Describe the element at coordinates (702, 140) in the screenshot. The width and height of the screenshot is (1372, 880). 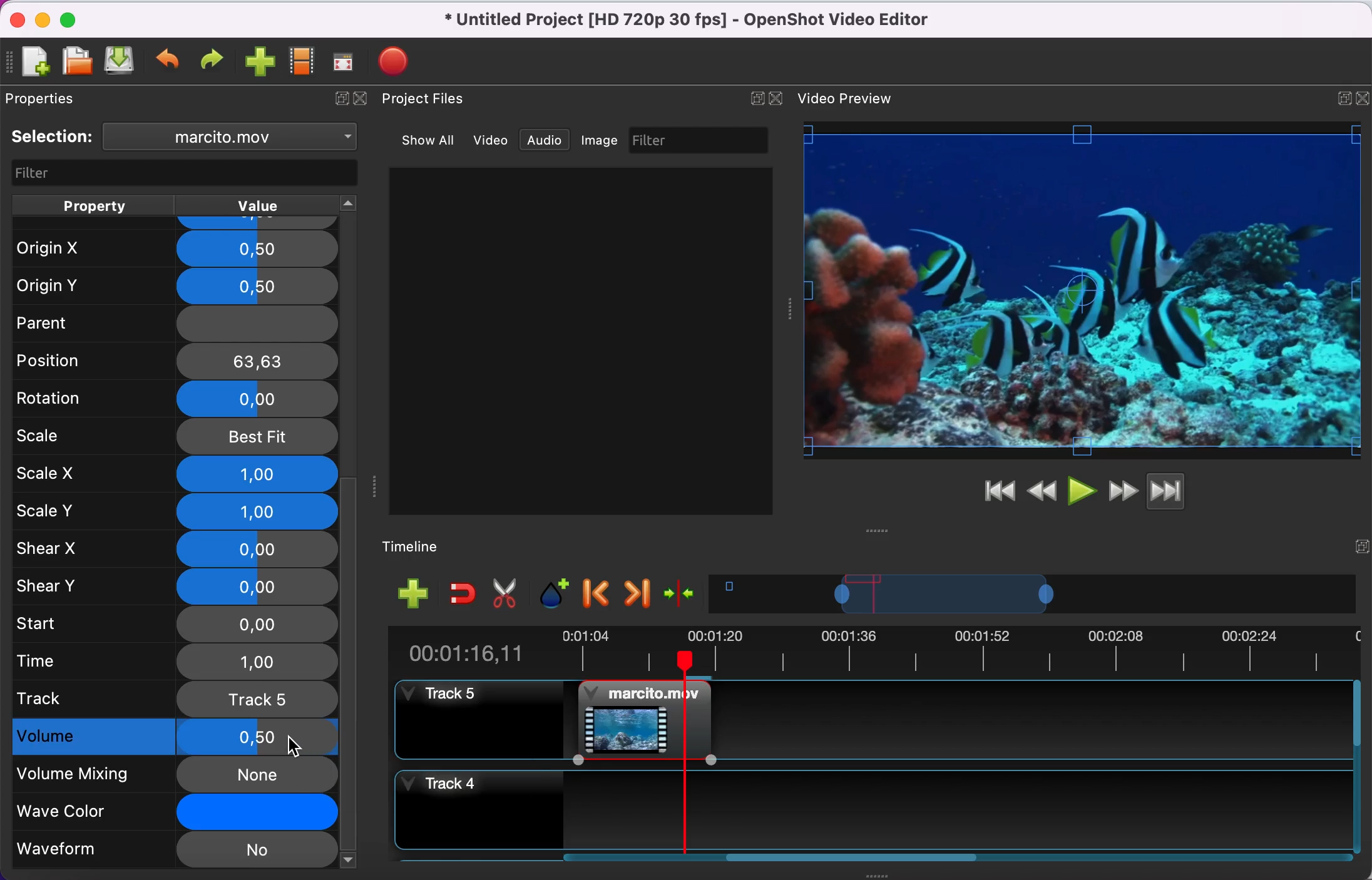
I see `filter` at that location.